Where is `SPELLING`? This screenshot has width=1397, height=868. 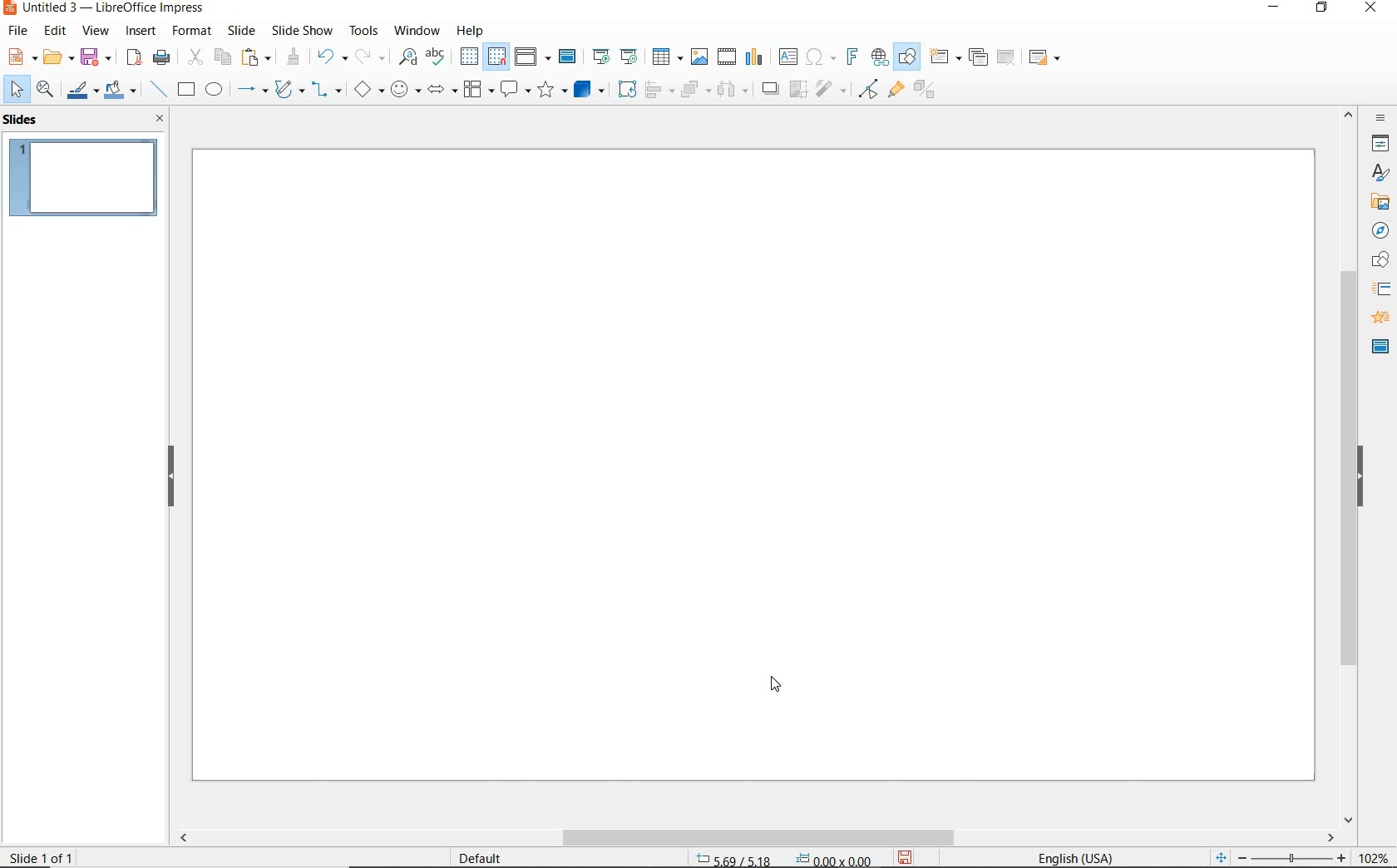 SPELLING is located at coordinates (437, 57).